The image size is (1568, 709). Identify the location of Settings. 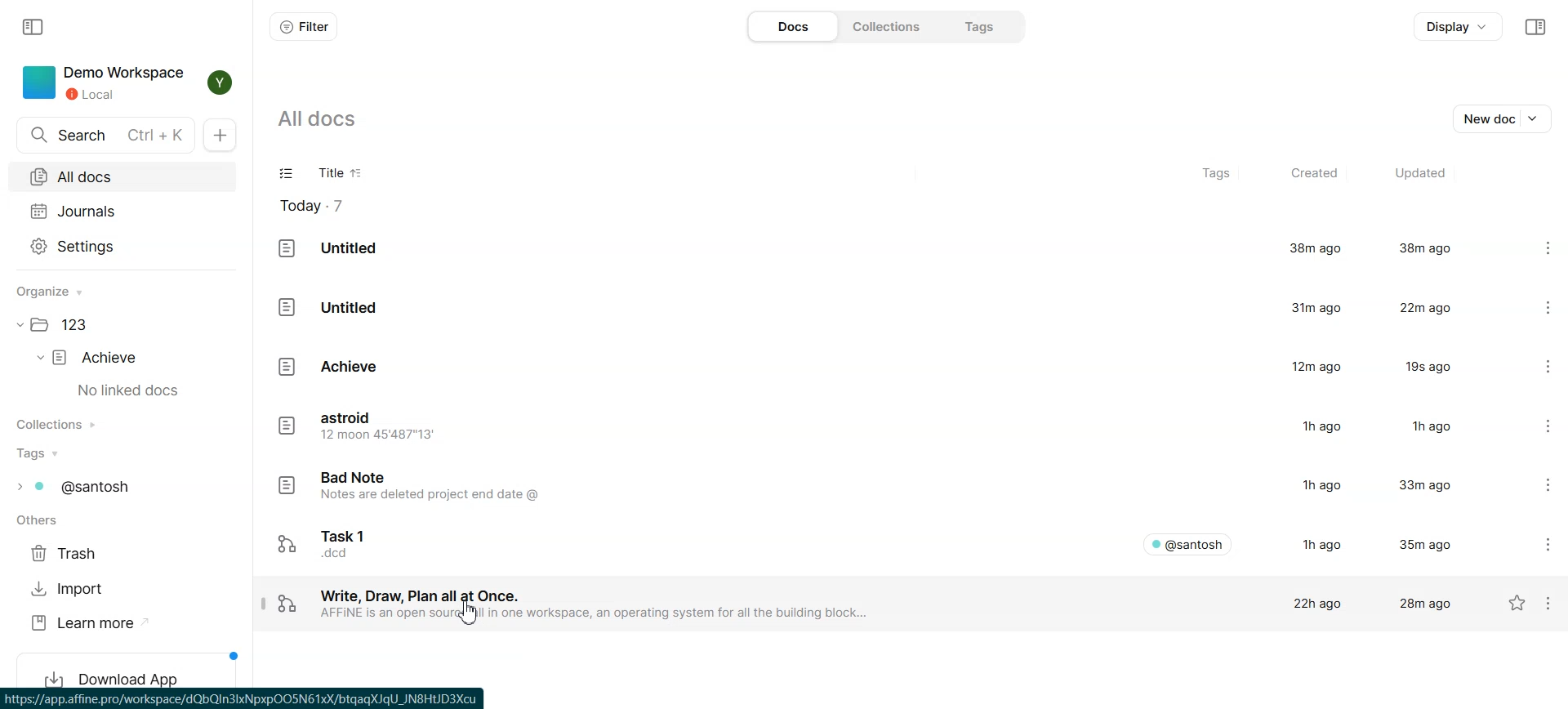
(1535, 542).